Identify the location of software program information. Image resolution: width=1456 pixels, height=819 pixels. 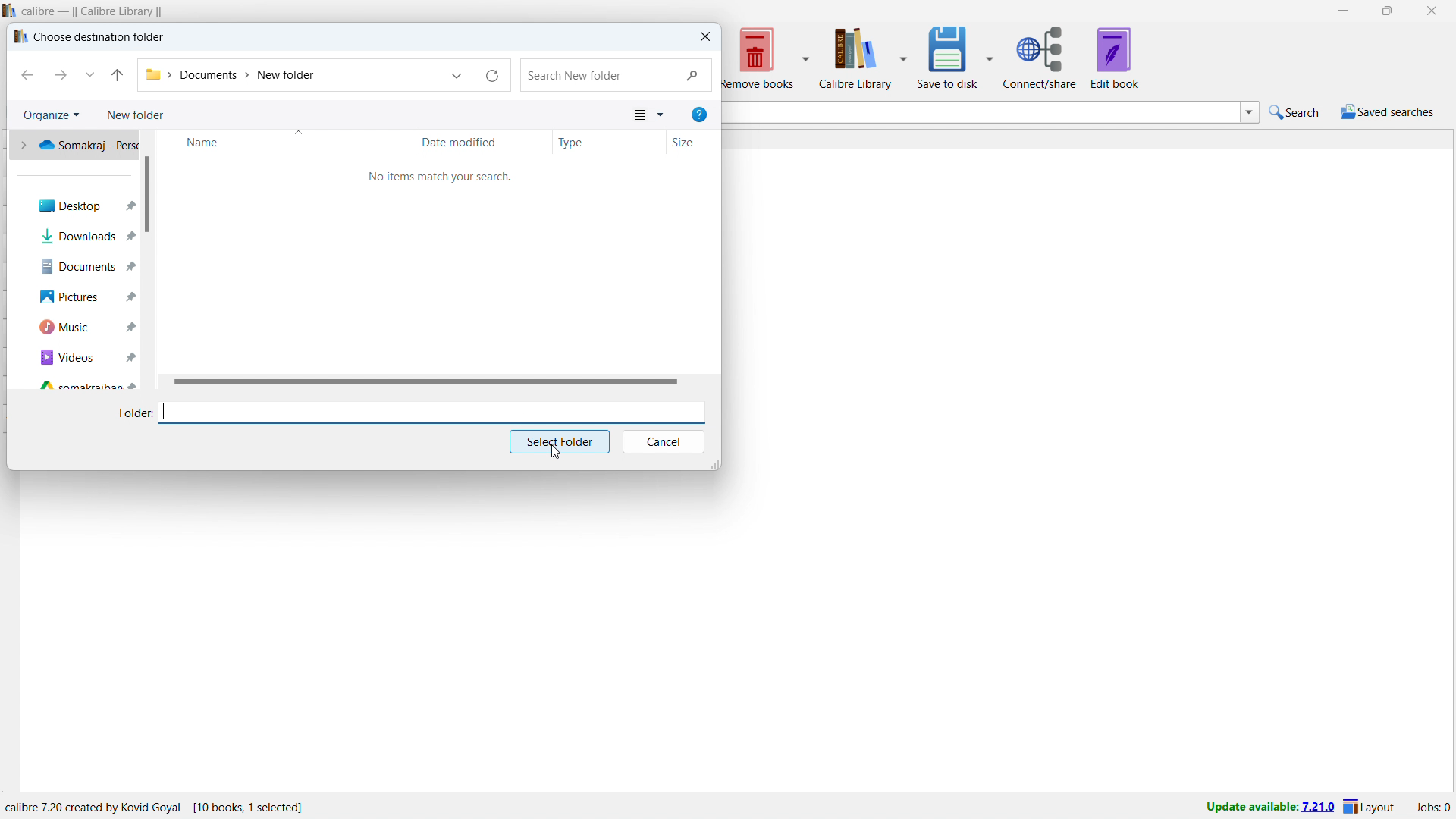
(162, 808).